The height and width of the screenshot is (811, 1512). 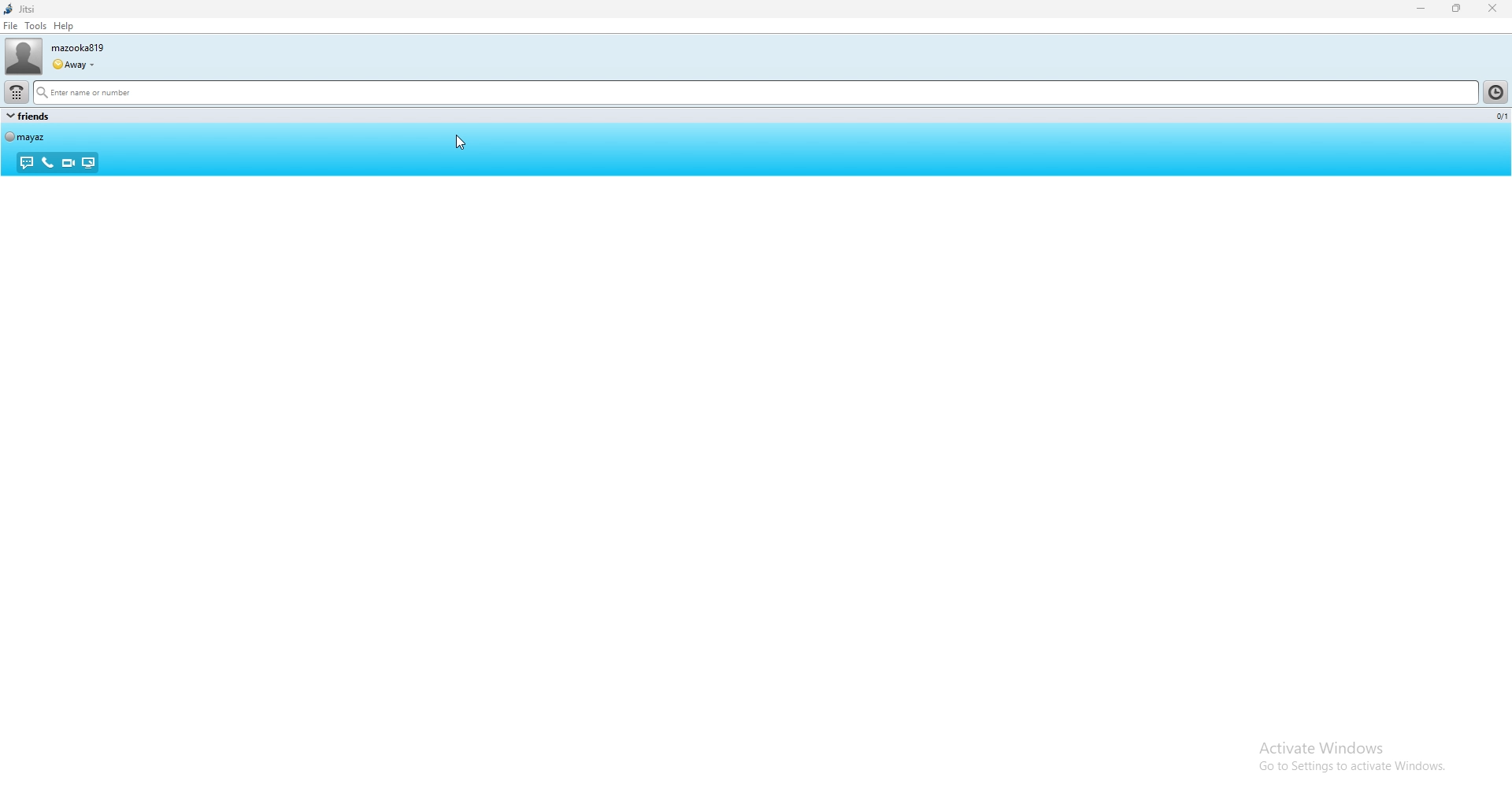 What do you see at coordinates (48, 162) in the screenshot?
I see `voice call` at bounding box center [48, 162].